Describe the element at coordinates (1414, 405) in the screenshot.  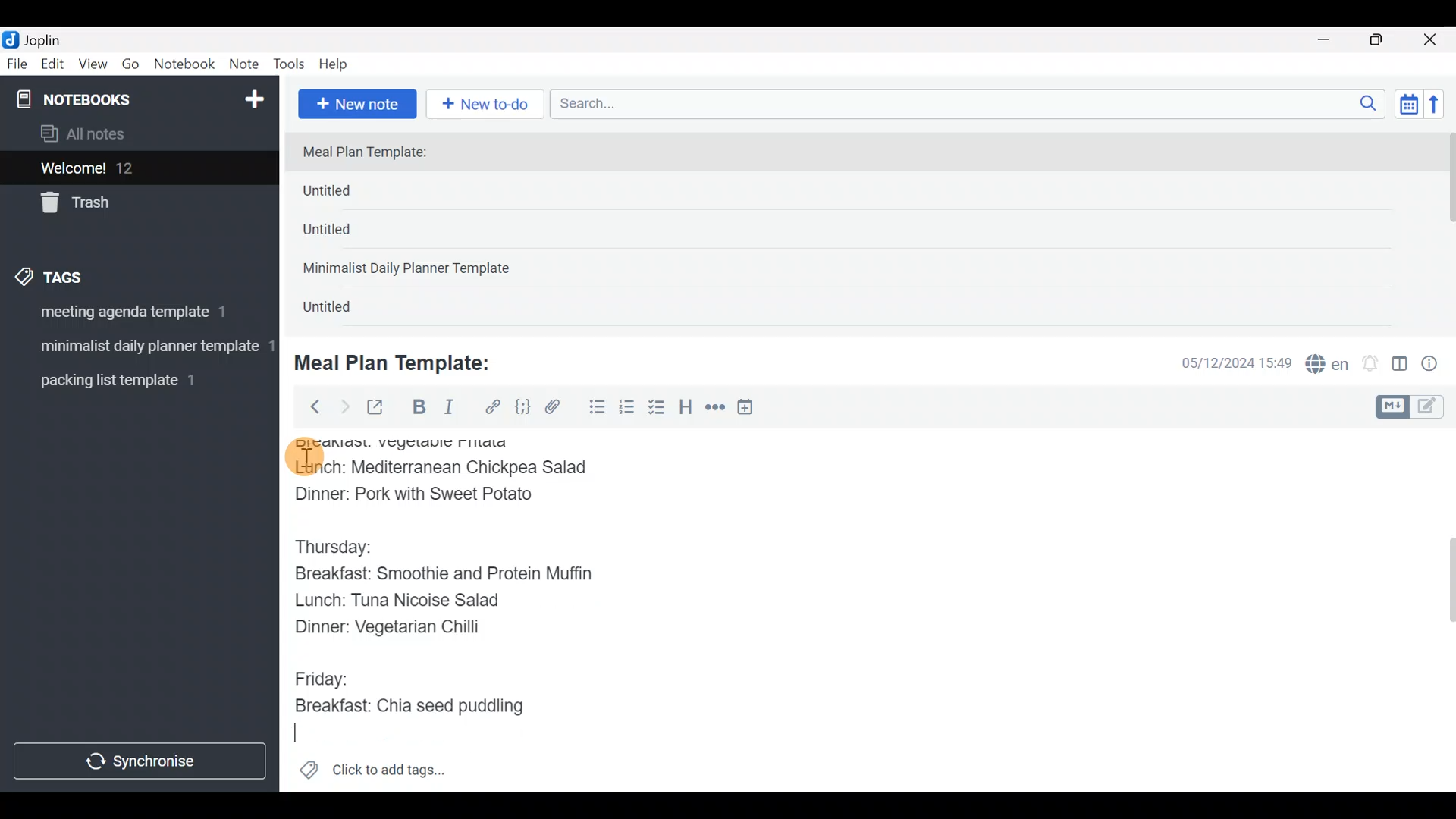
I see `Toggle editors` at that location.